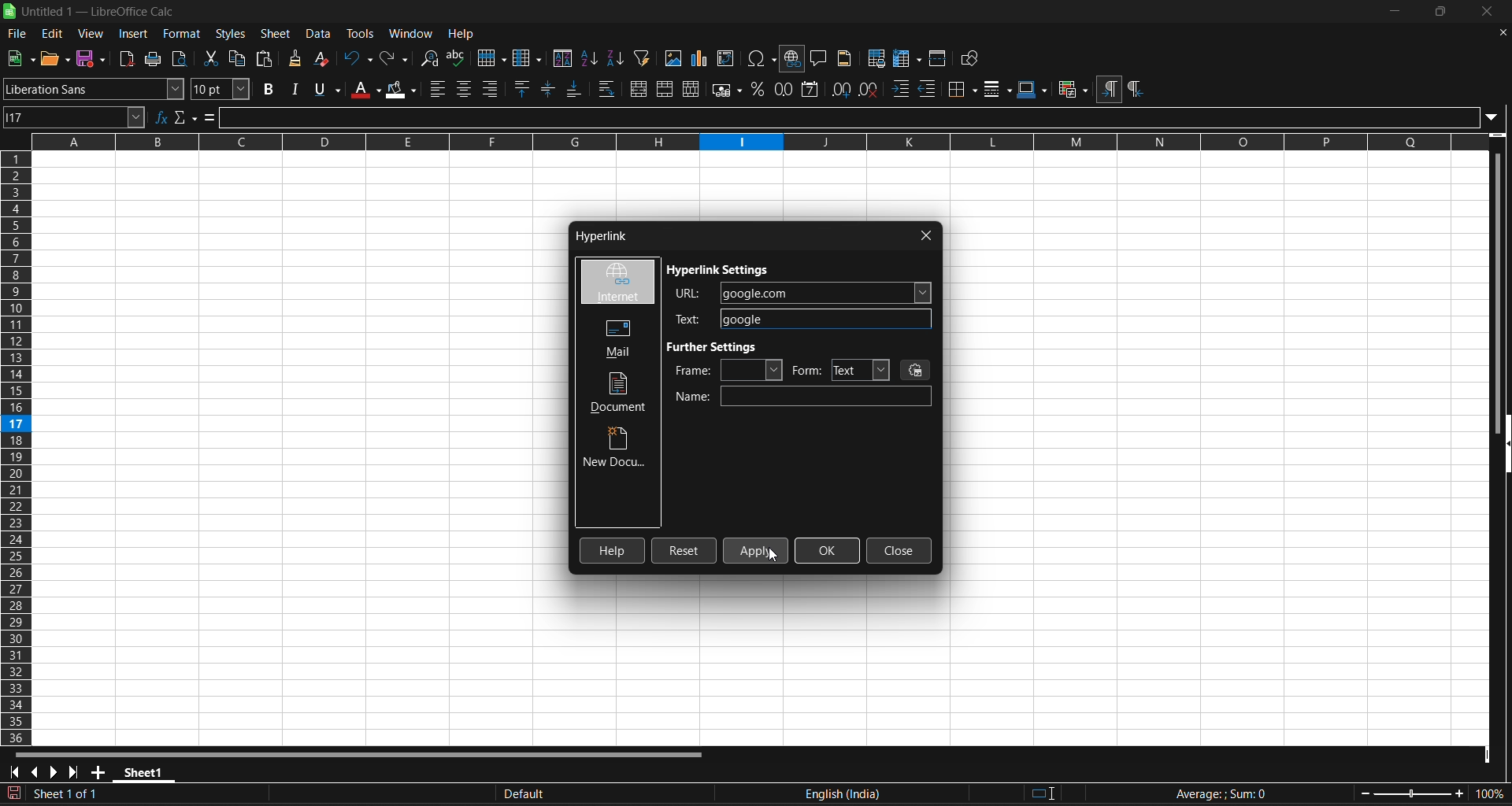 The height and width of the screenshot is (806, 1512). I want to click on formula, so click(210, 116).